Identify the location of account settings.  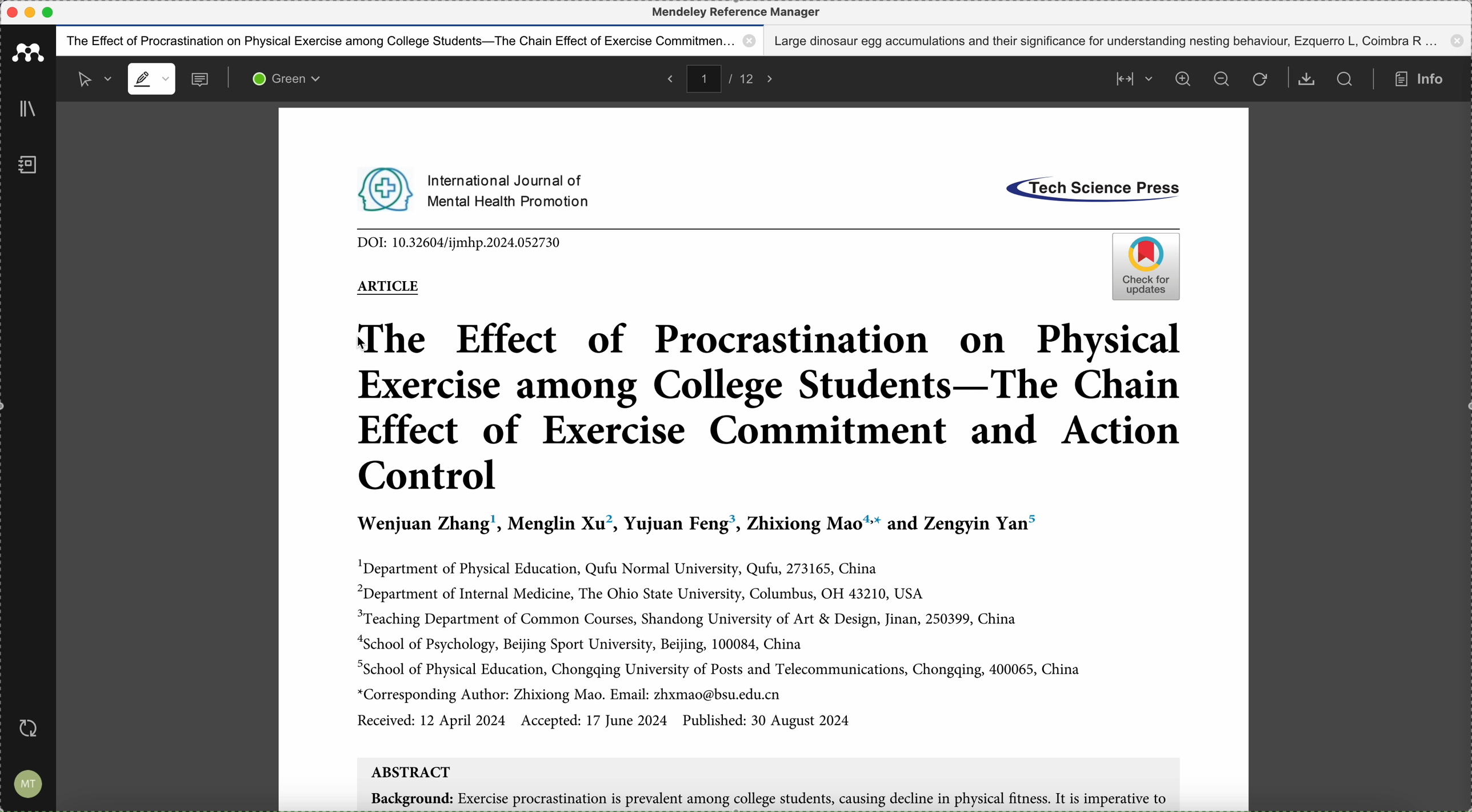
(29, 782).